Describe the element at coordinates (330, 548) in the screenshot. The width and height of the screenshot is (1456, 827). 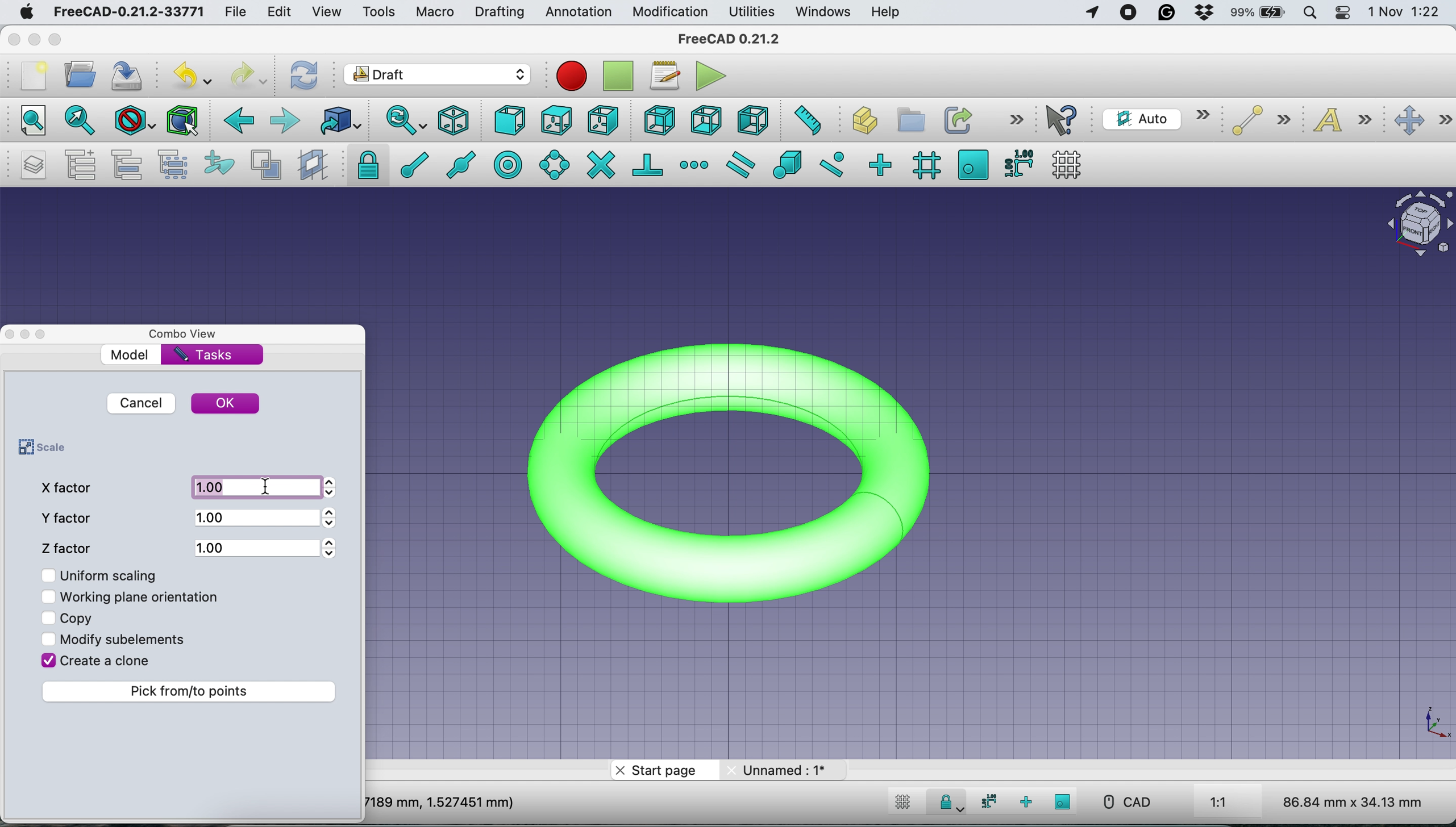
I see `Arrows` at that location.